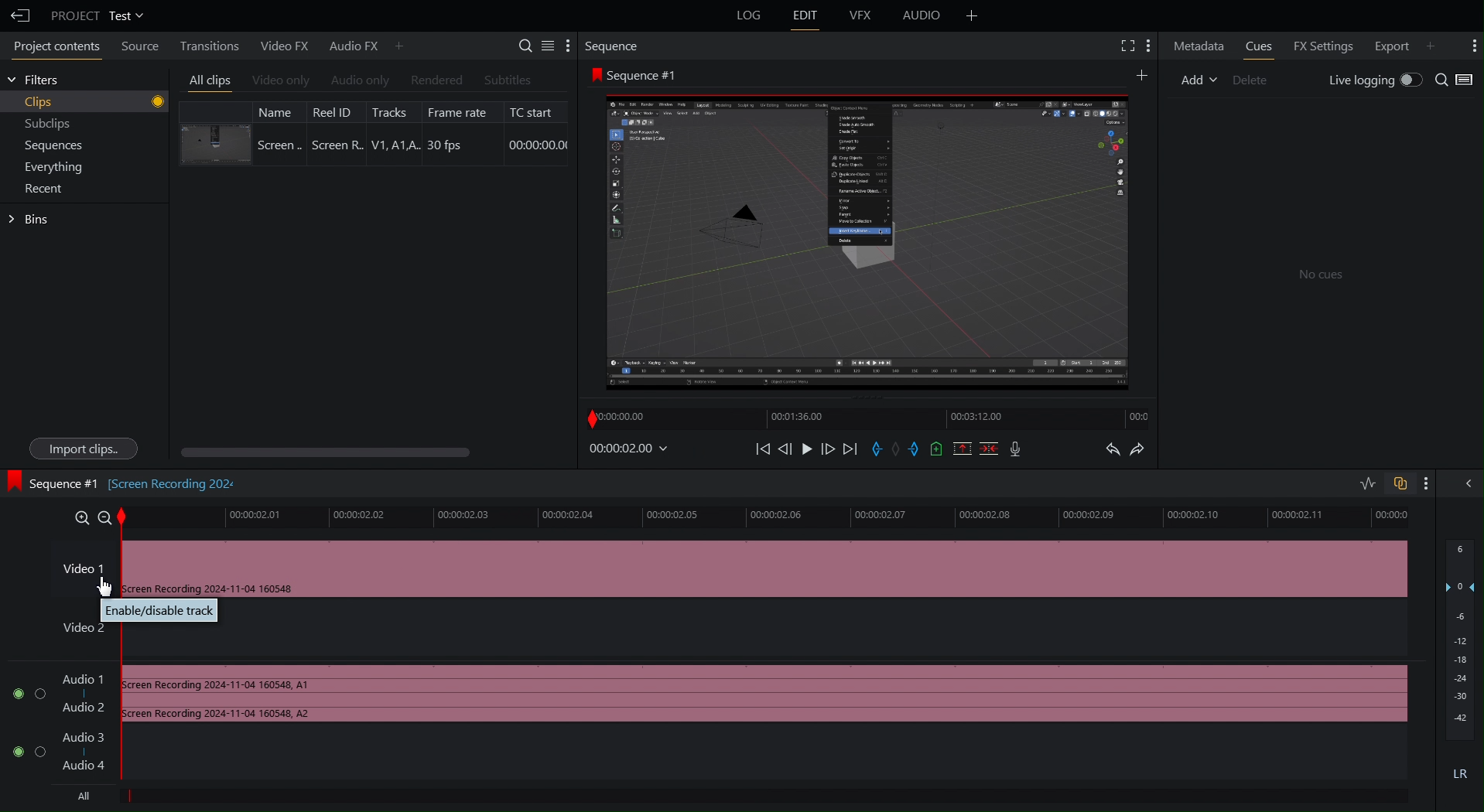  I want to click on Timeline, so click(767, 517).